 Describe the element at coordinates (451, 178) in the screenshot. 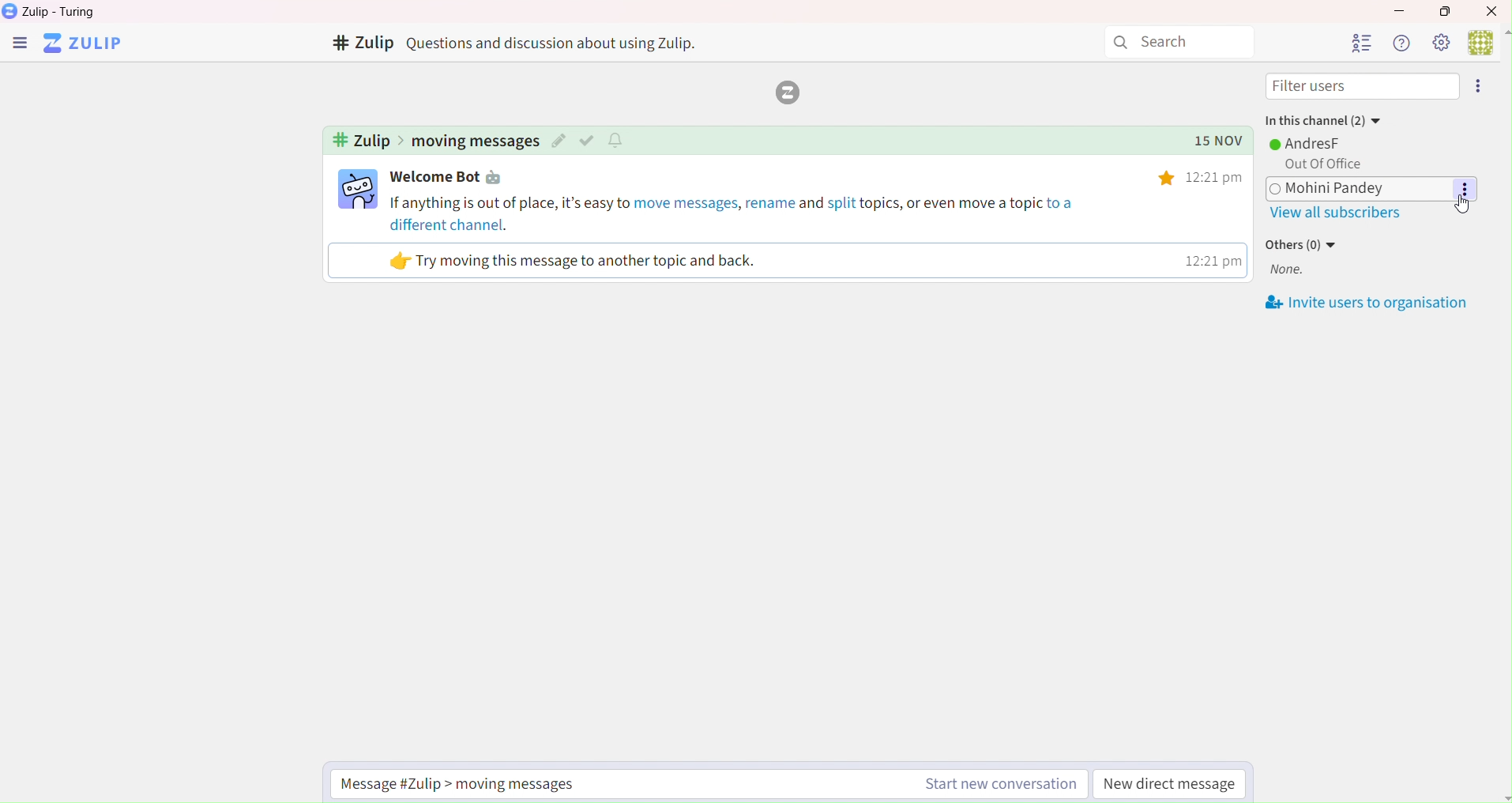

I see `Welcome Bot ` at that location.